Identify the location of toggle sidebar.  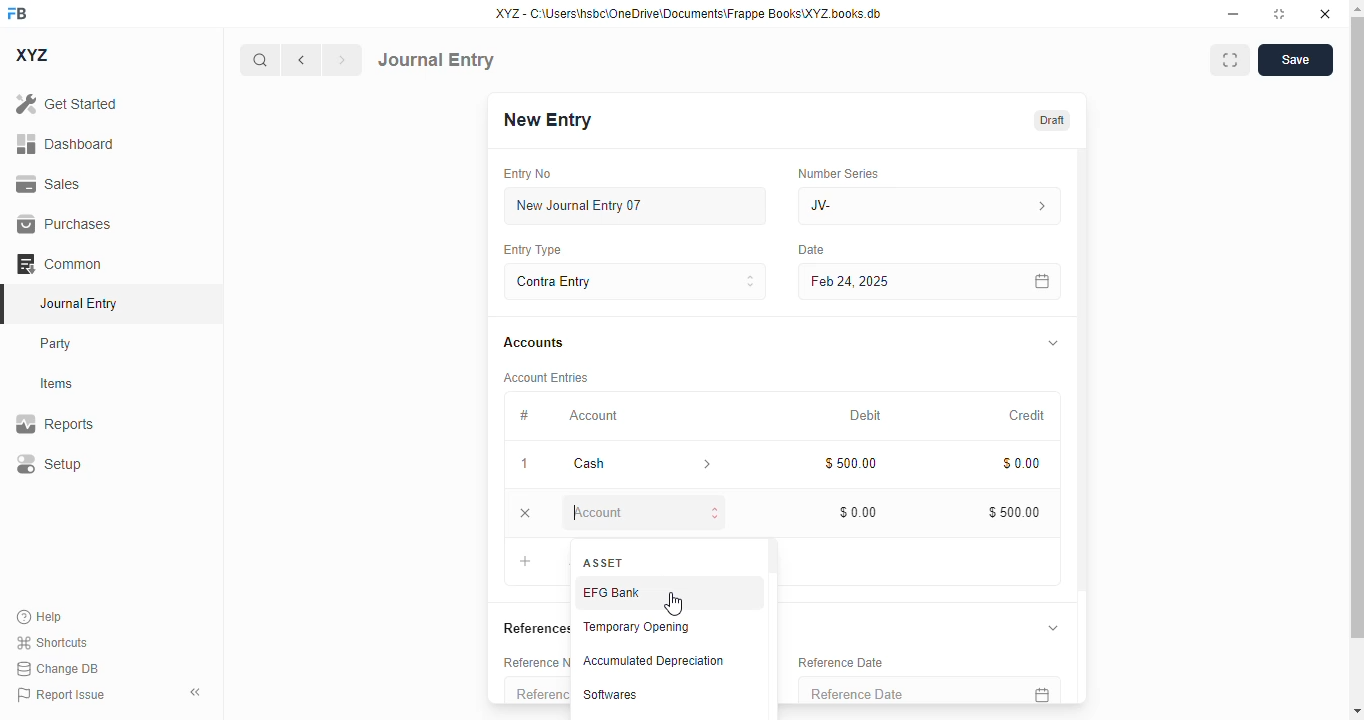
(197, 692).